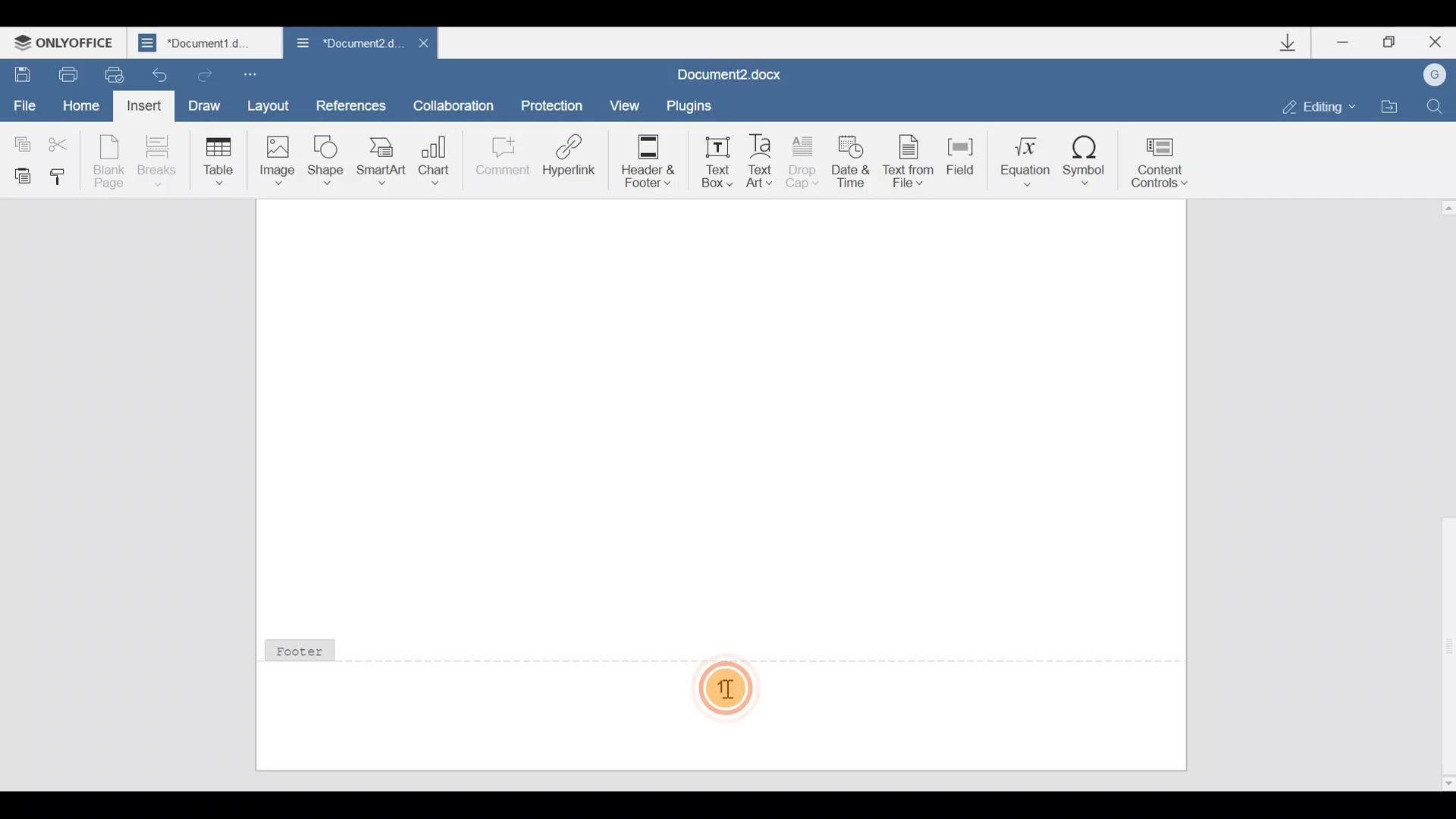 This screenshot has height=819, width=1456. I want to click on Close, so click(419, 42).